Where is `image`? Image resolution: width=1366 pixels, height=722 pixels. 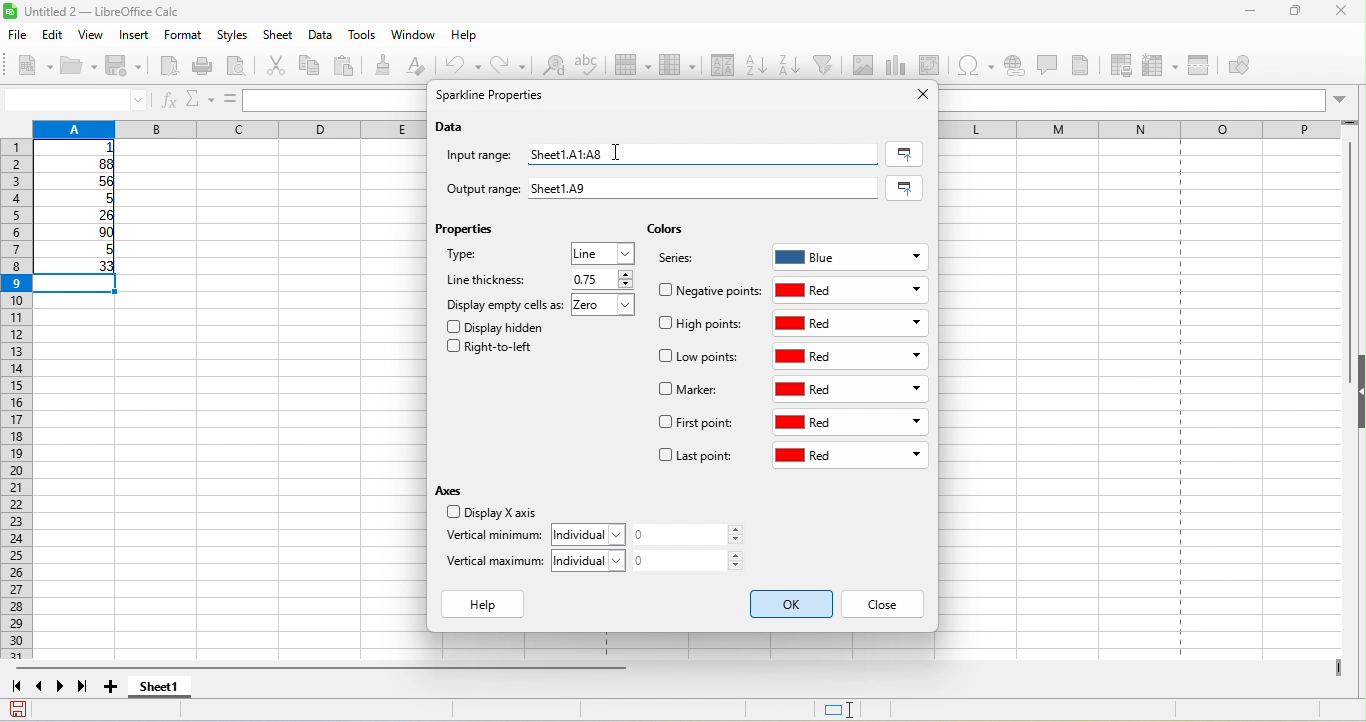
image is located at coordinates (865, 63).